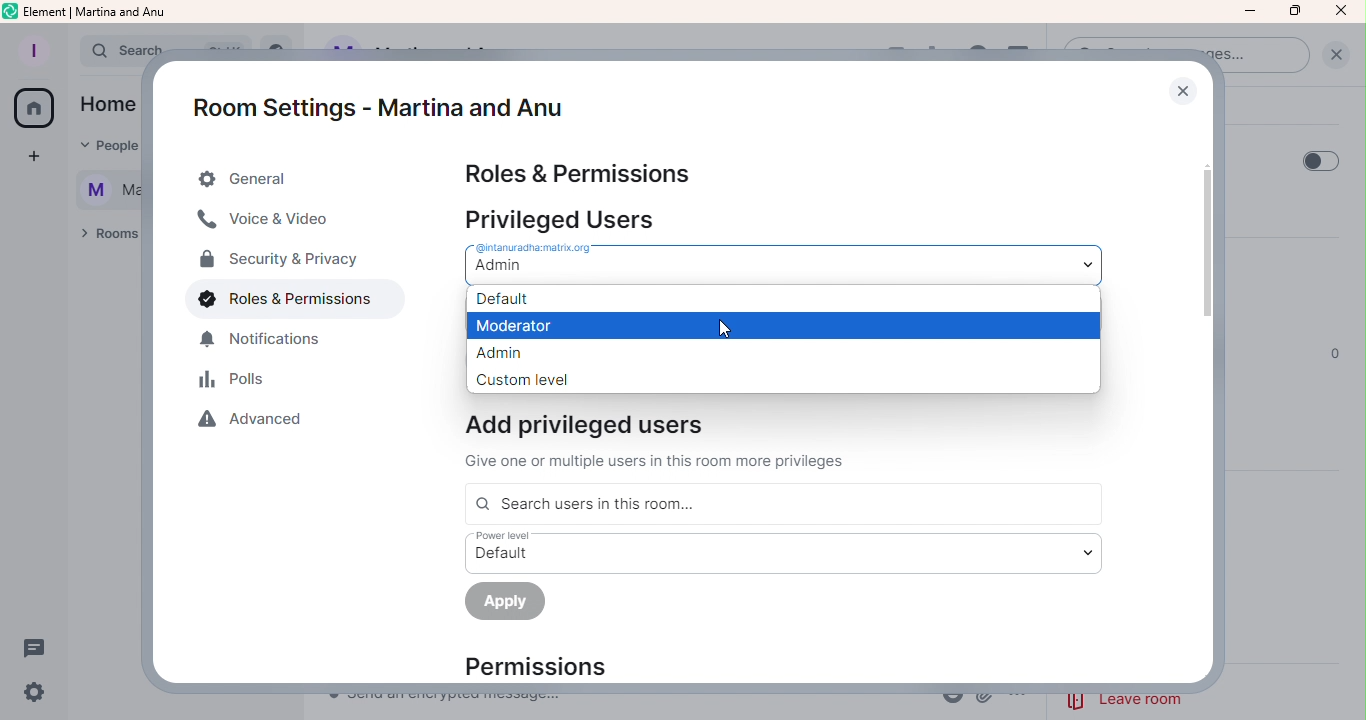 The image size is (1366, 720). Describe the element at coordinates (105, 106) in the screenshot. I see `Home` at that location.